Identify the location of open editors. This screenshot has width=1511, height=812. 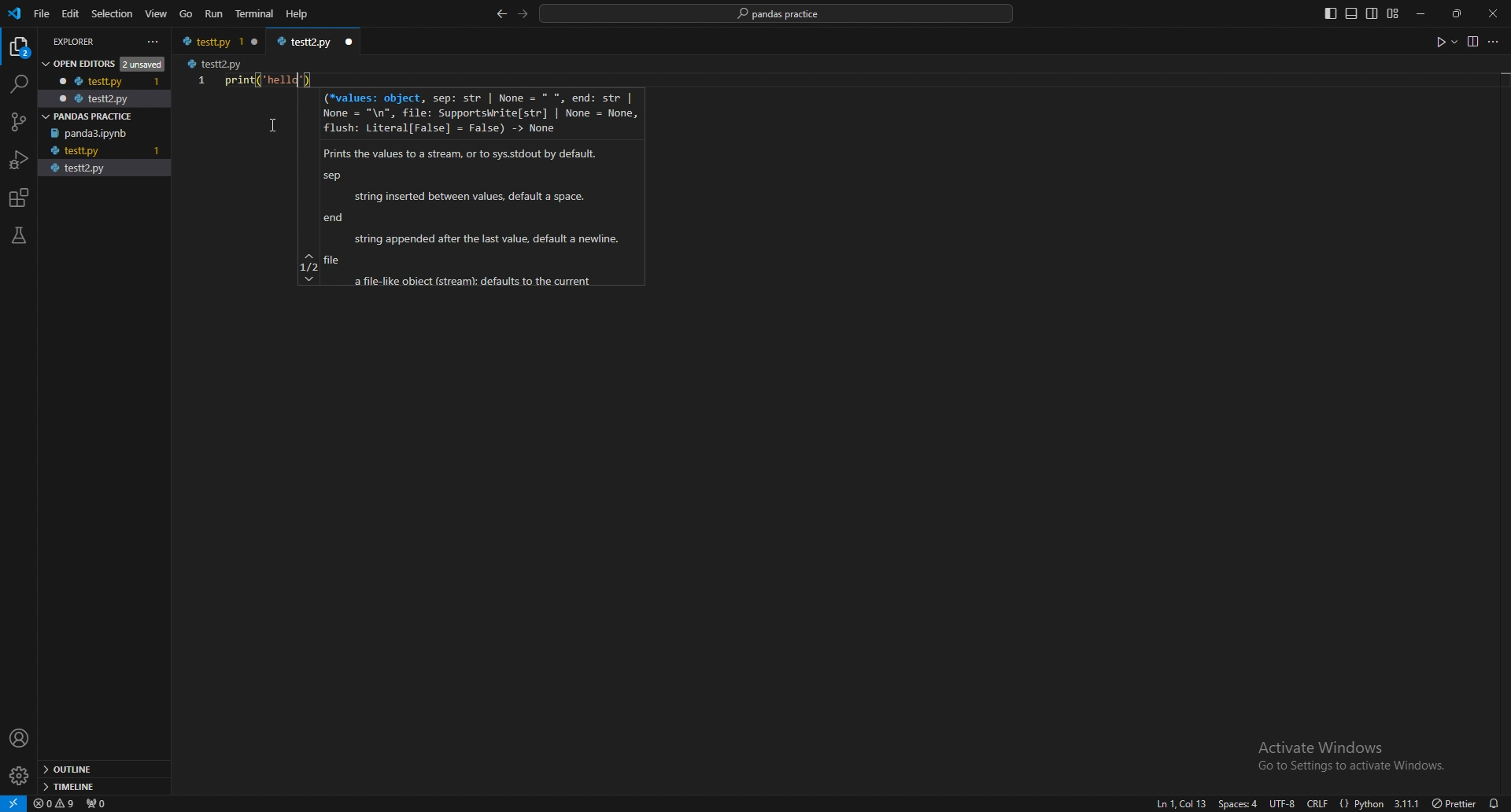
(99, 62).